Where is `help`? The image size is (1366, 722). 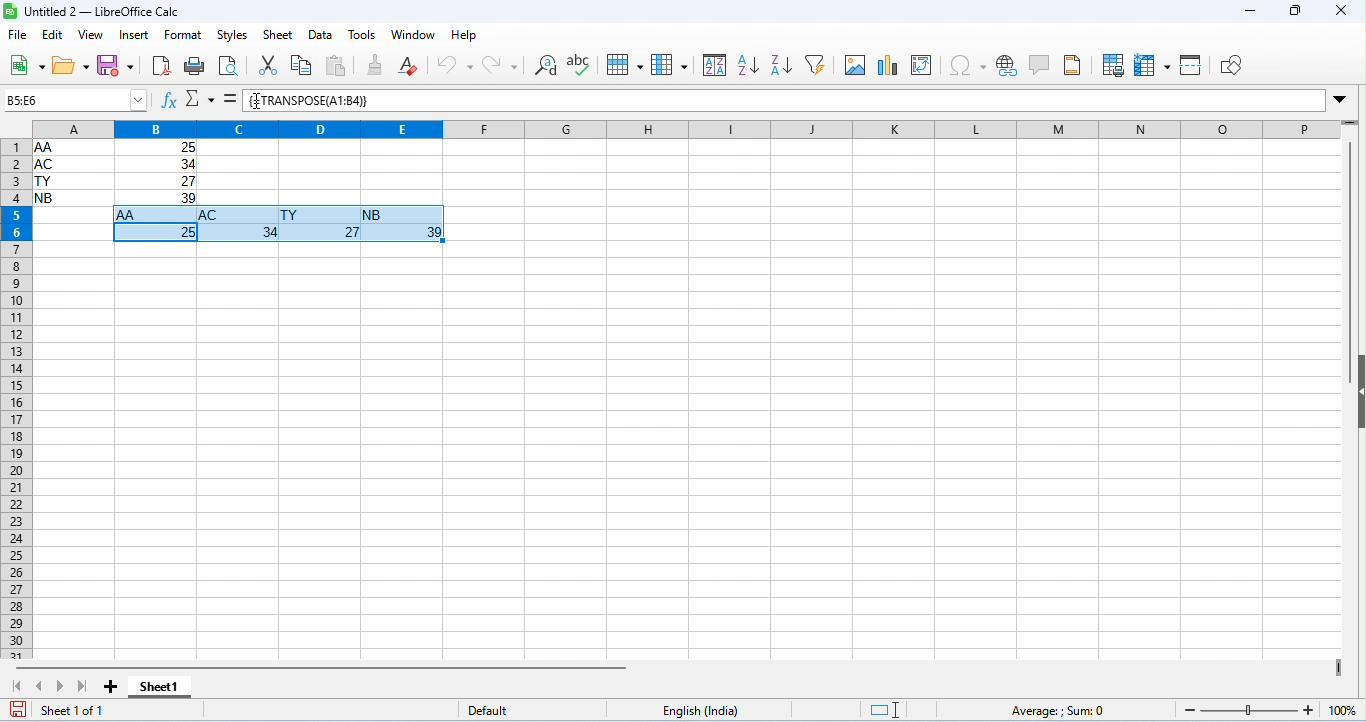
help is located at coordinates (464, 36).